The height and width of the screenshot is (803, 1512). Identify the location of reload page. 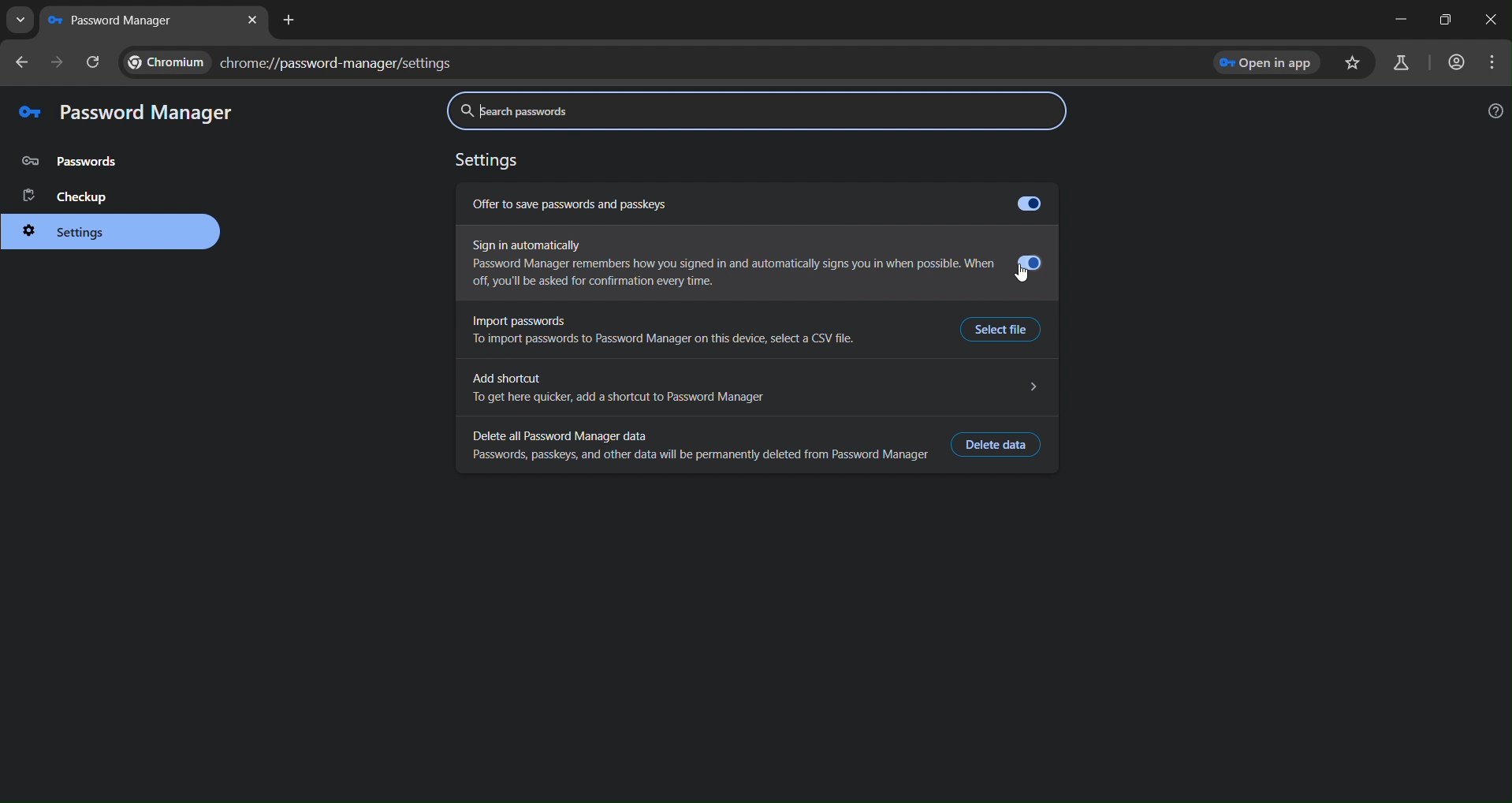
(95, 61).